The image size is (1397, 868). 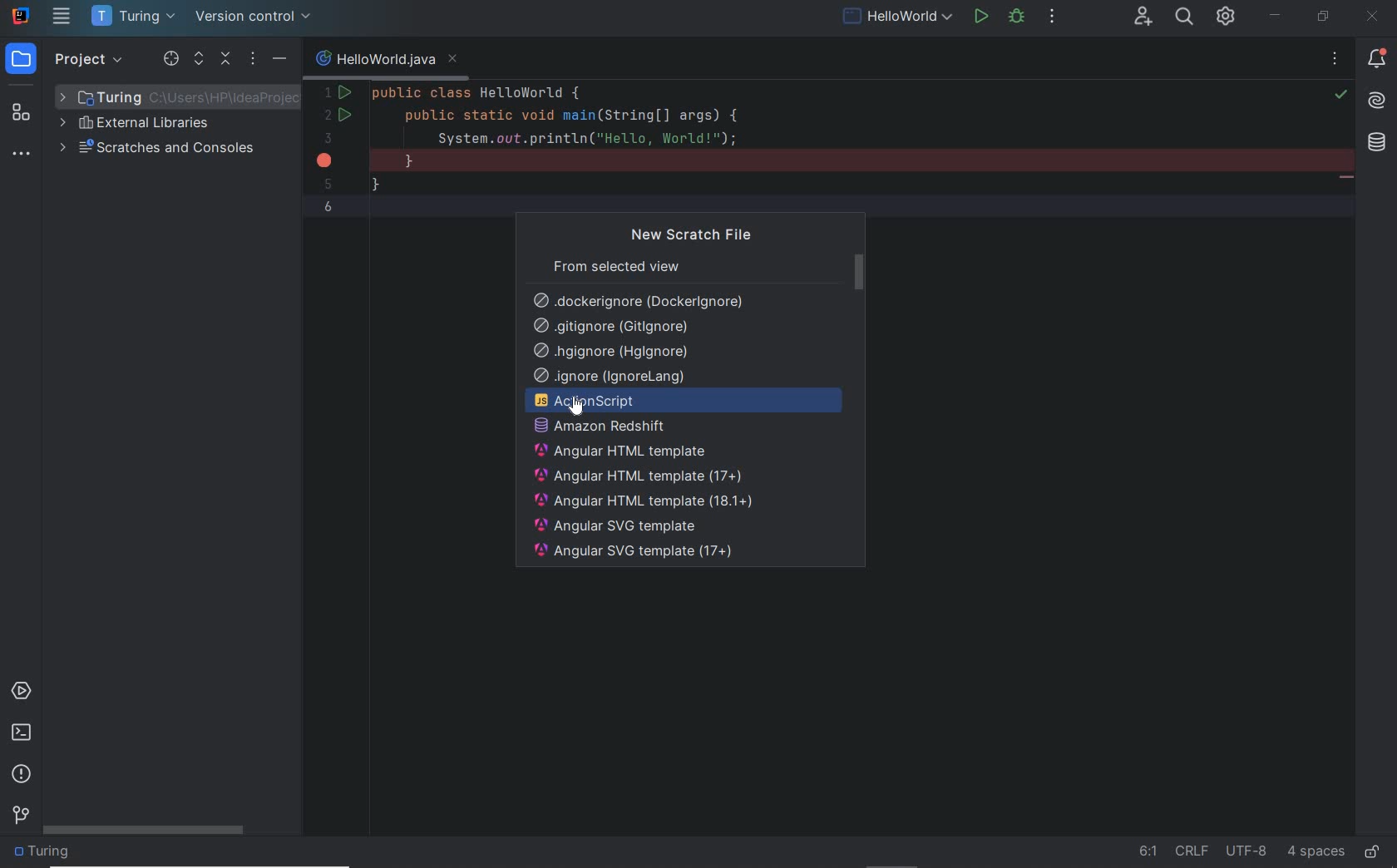 I want to click on hide, so click(x=280, y=57).